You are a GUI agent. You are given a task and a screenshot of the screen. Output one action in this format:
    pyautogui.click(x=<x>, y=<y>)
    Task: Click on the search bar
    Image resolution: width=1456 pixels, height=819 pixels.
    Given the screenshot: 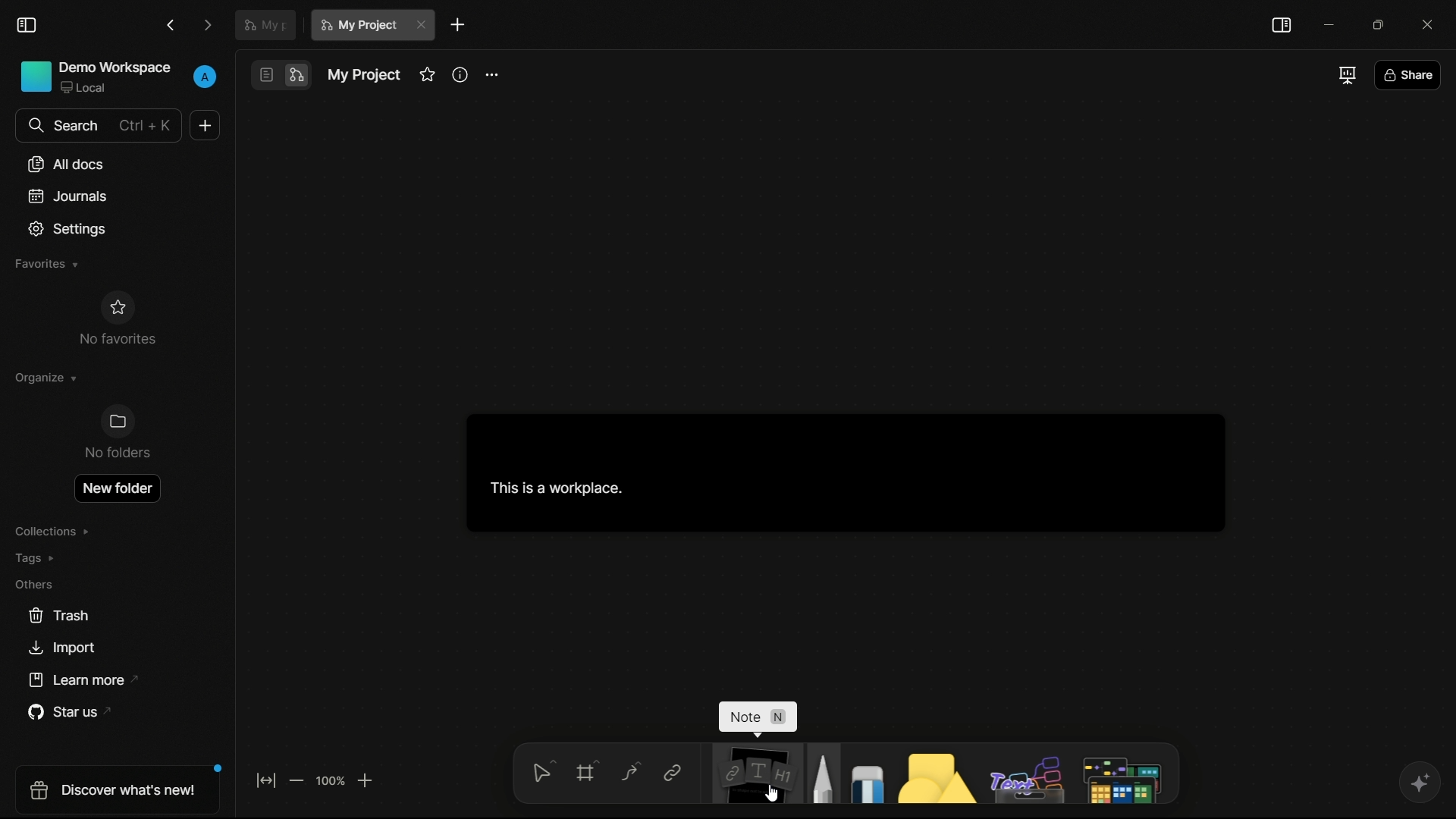 What is the action you would take?
    pyautogui.click(x=99, y=126)
    